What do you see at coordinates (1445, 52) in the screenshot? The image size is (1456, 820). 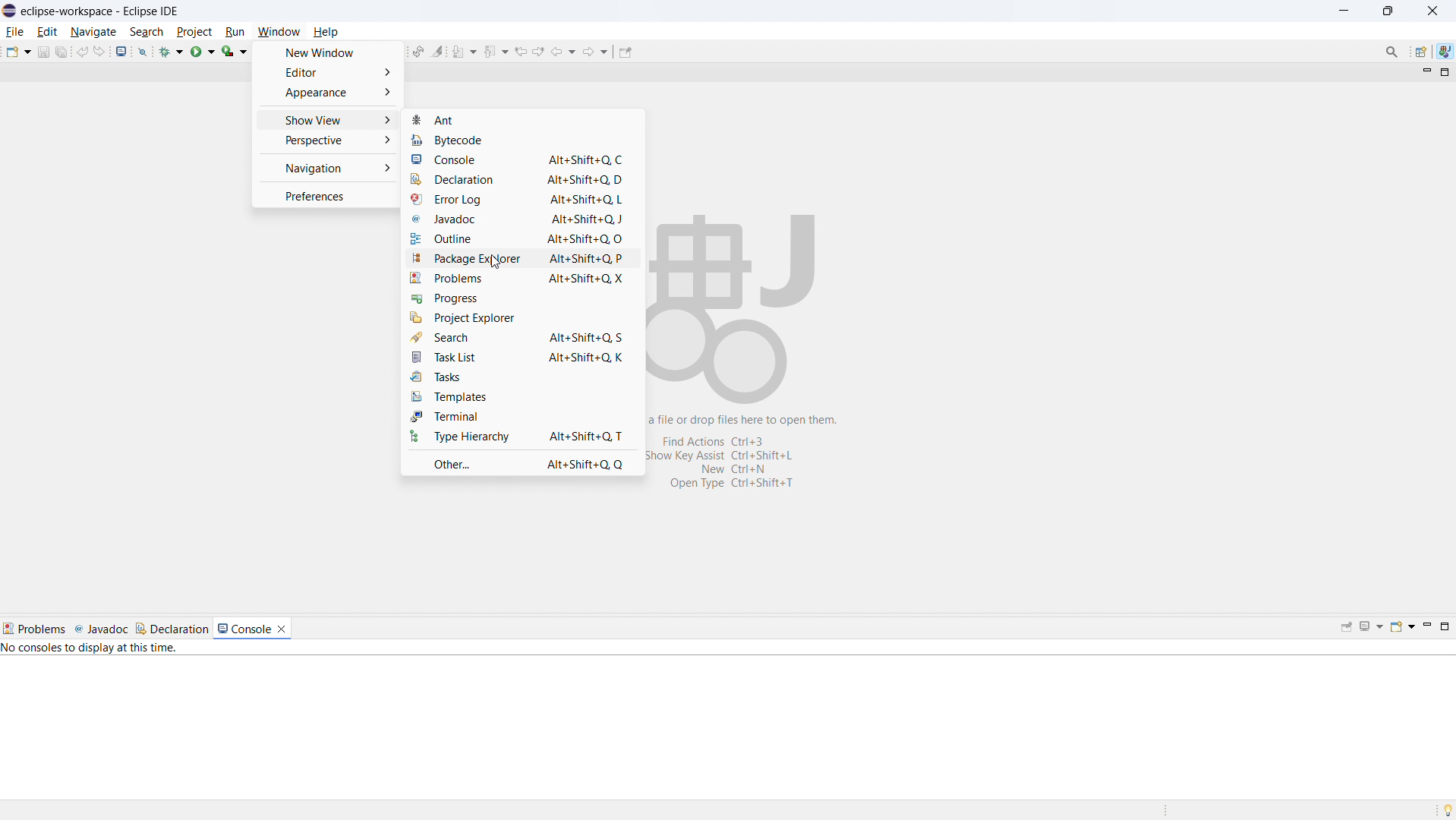 I see `java` at bounding box center [1445, 52].